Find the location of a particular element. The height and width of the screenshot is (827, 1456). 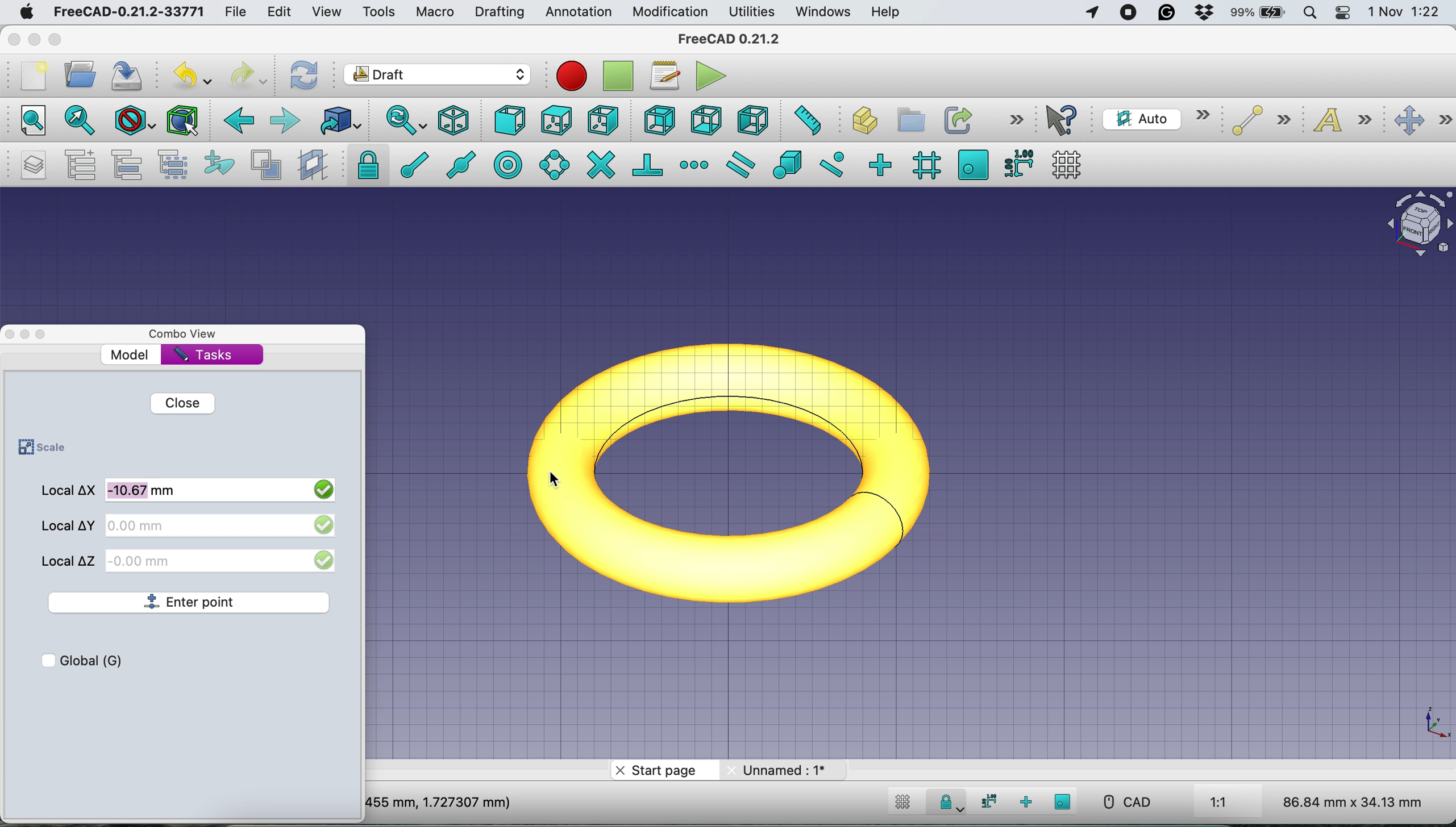

select group is located at coordinates (177, 165).